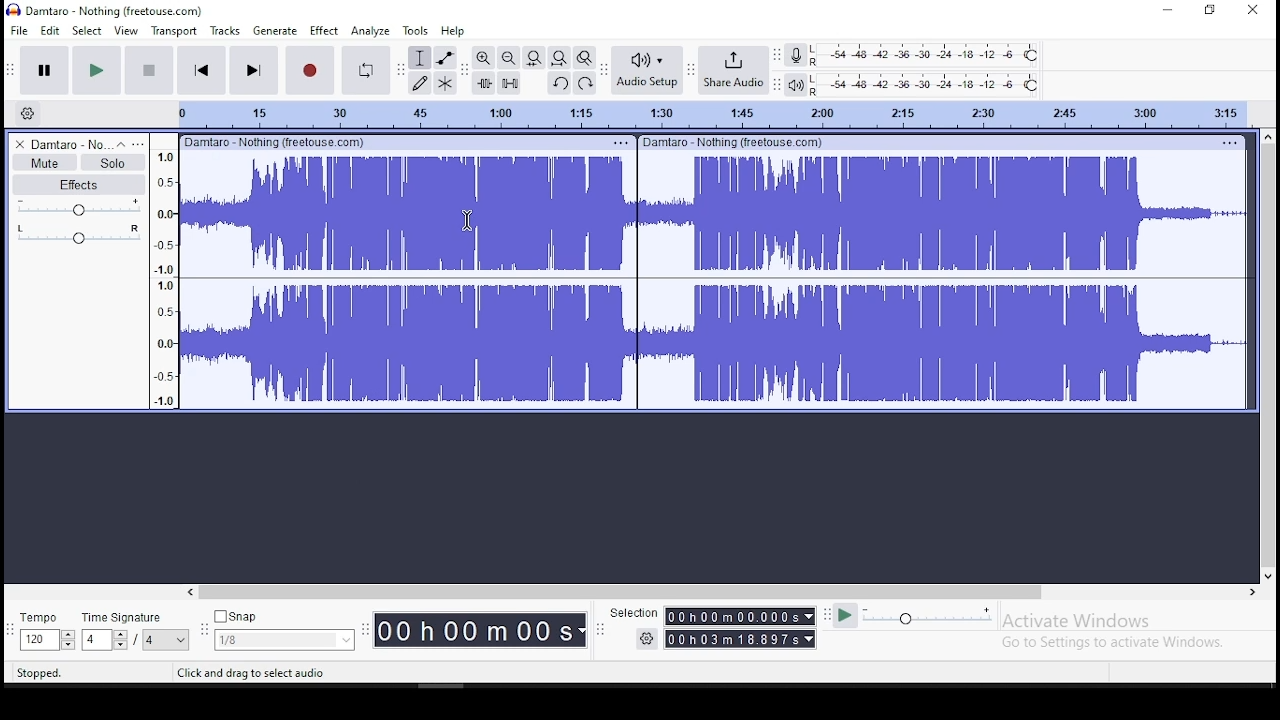 The height and width of the screenshot is (720, 1280). What do you see at coordinates (1268, 356) in the screenshot?
I see `scroll bar` at bounding box center [1268, 356].